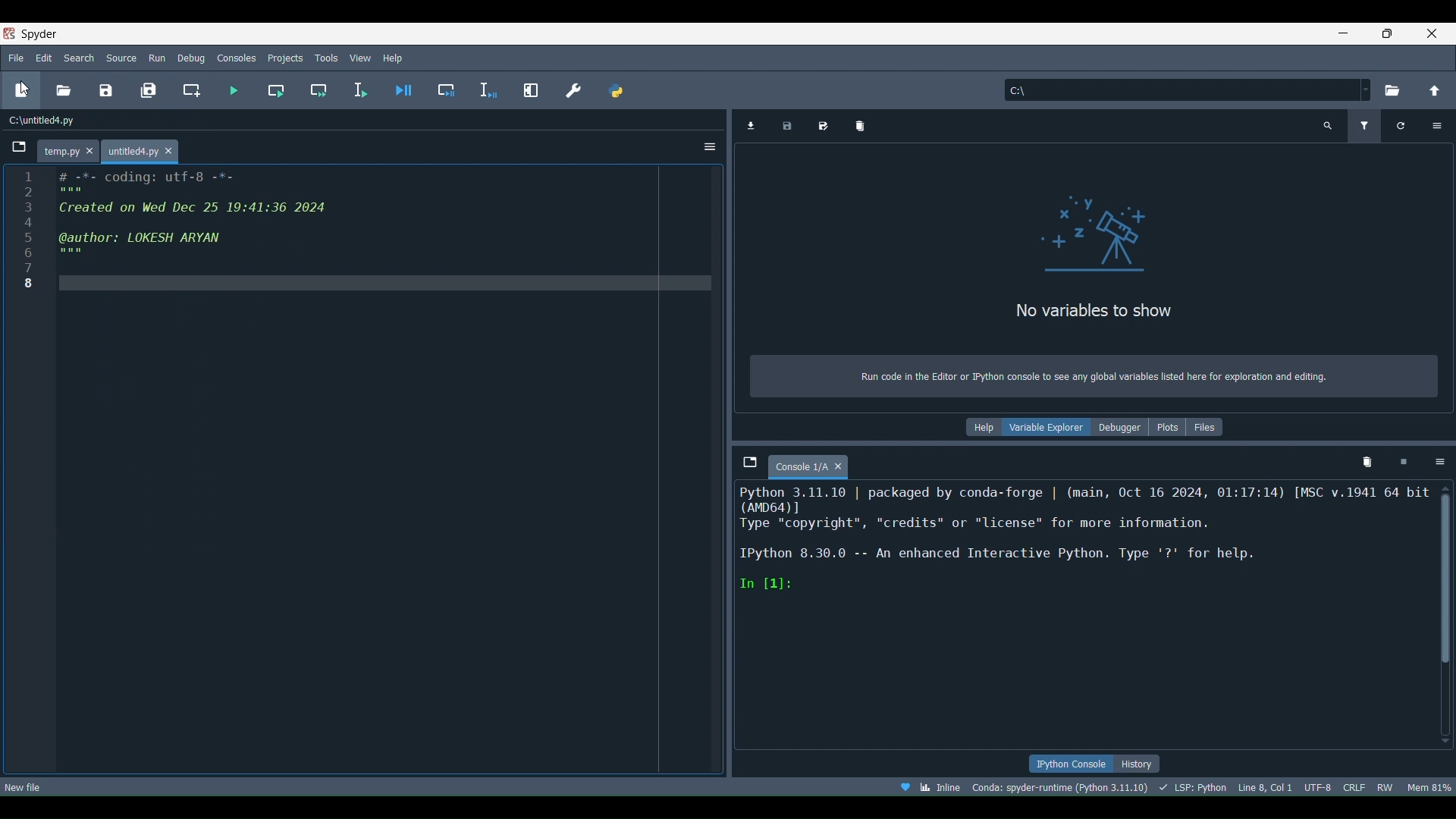 The height and width of the screenshot is (819, 1456). What do you see at coordinates (67, 149) in the screenshot?
I see `File name` at bounding box center [67, 149].